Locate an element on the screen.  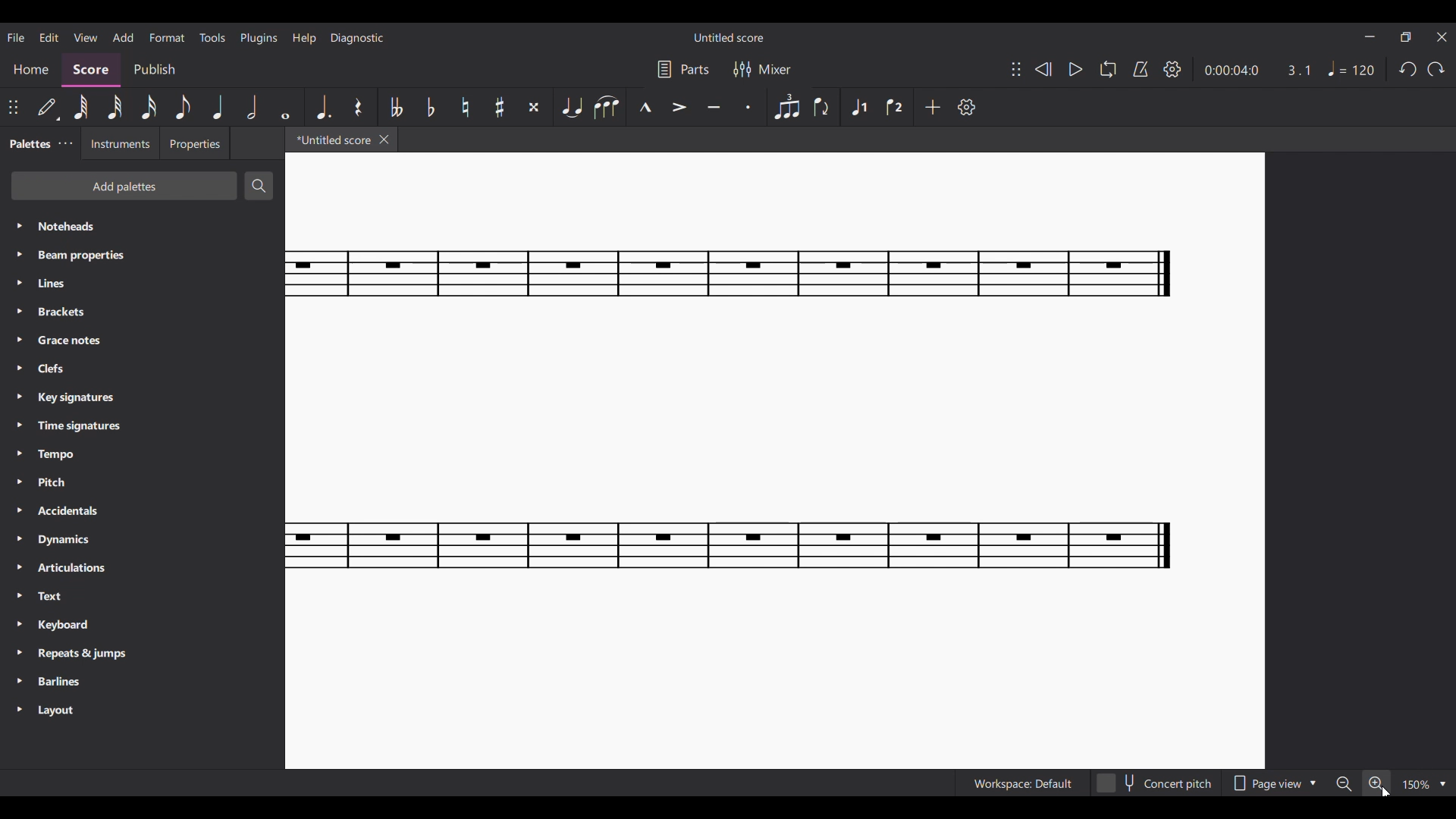
Rest is located at coordinates (358, 107).